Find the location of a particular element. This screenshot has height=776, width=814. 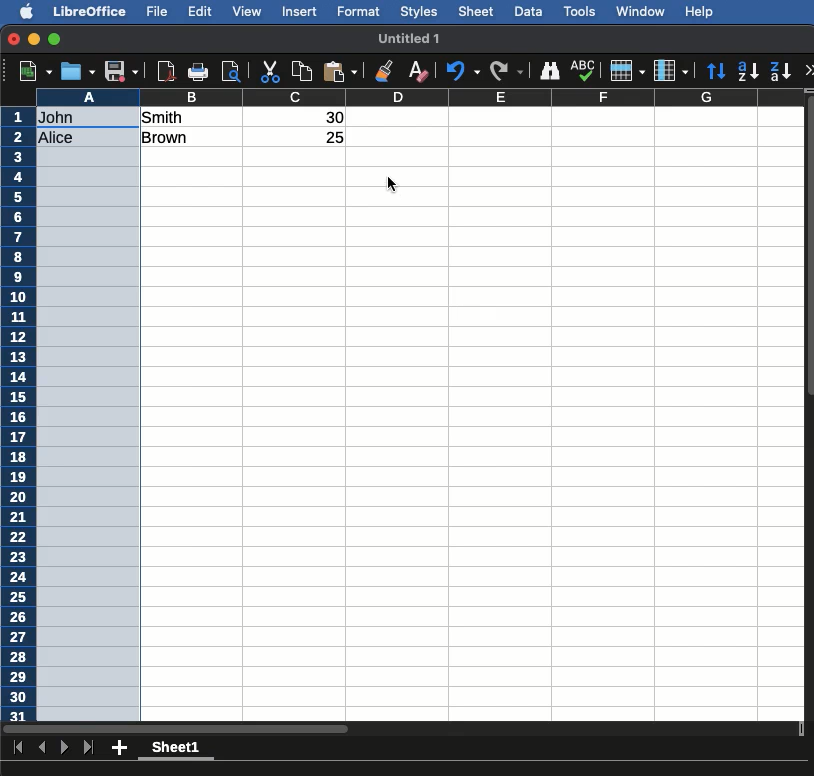

Format is located at coordinates (360, 13).